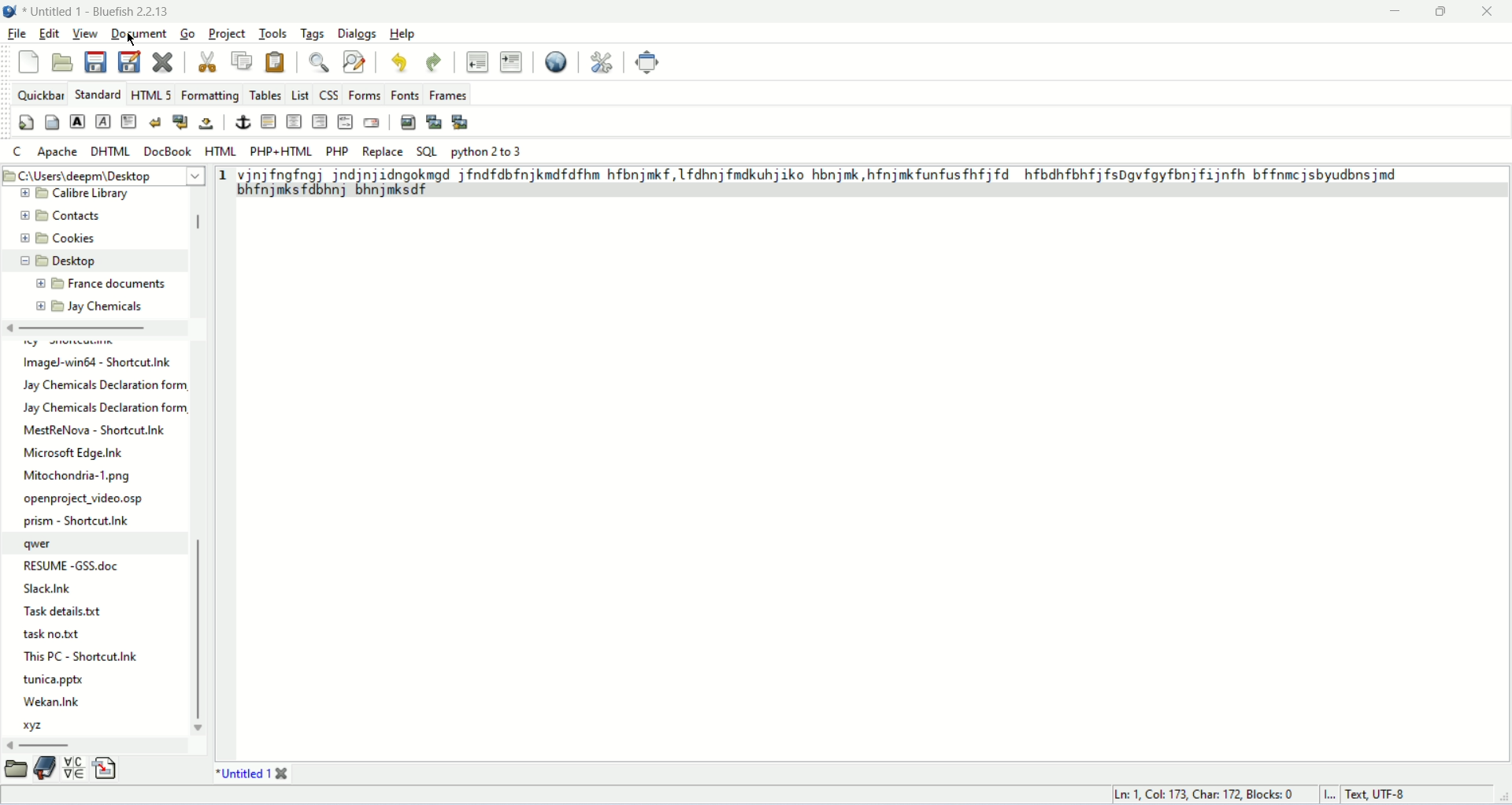  I want to click on anchor, so click(241, 121).